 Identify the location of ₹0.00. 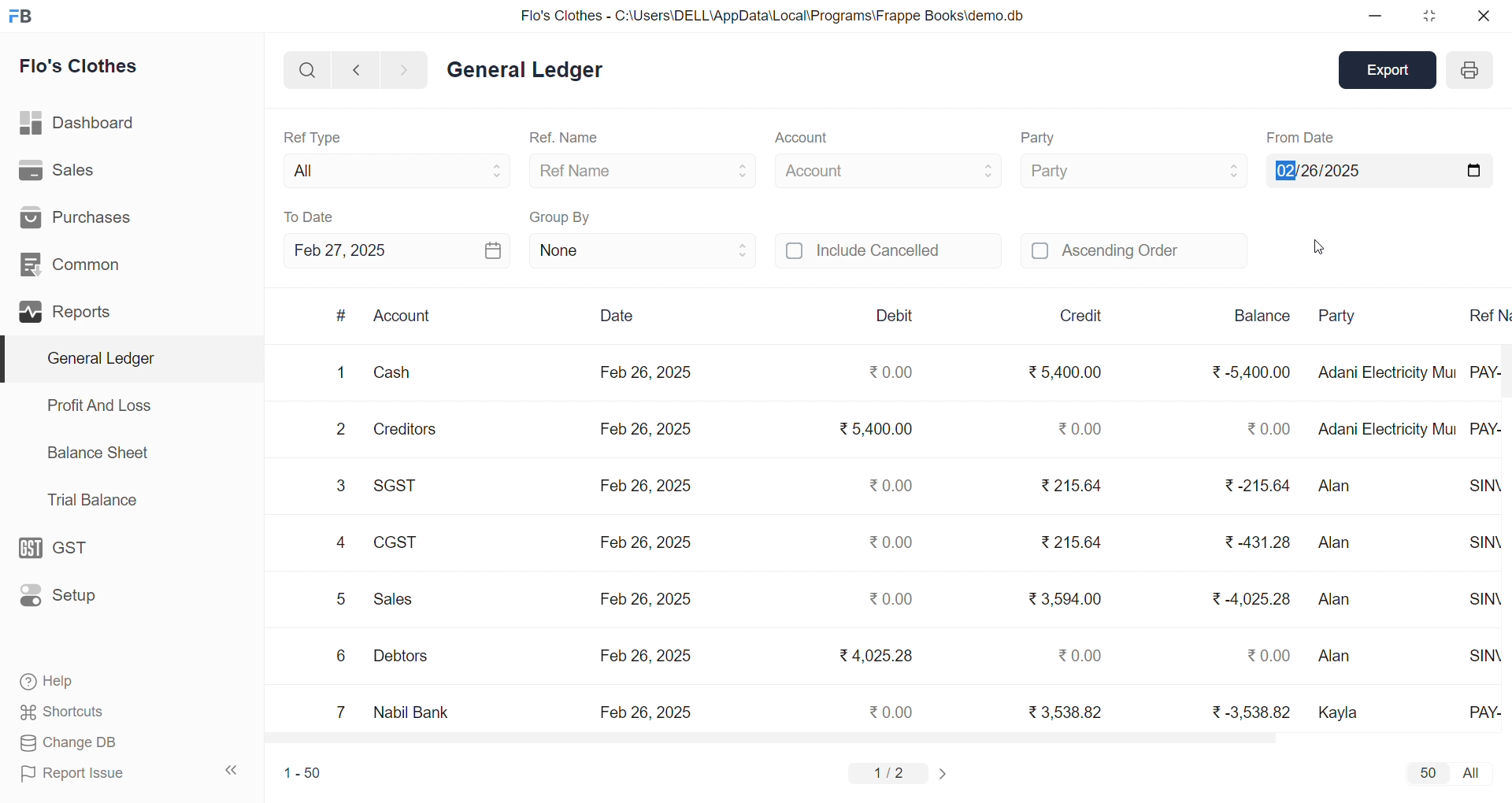
(892, 711).